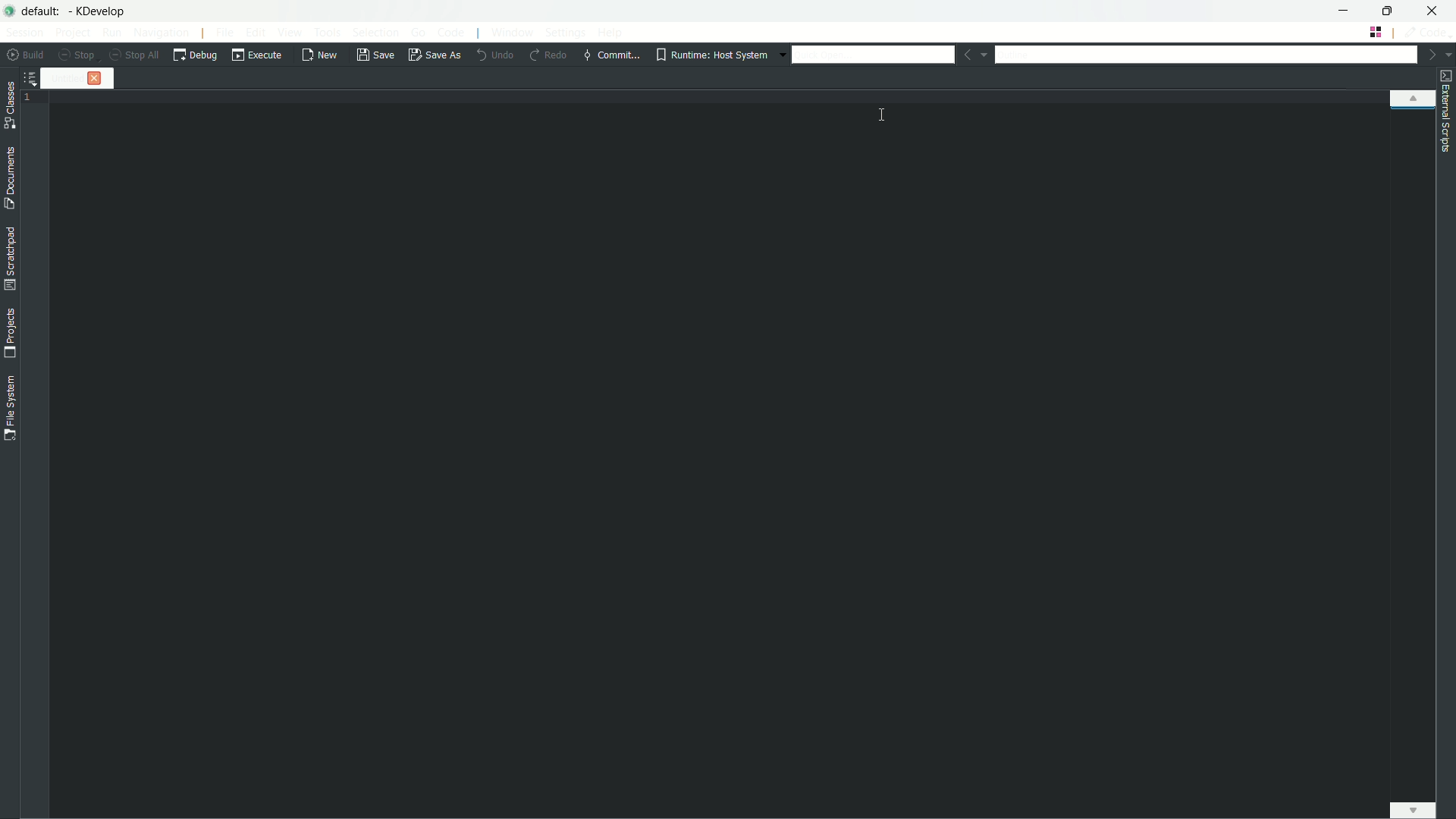 The height and width of the screenshot is (819, 1456). What do you see at coordinates (10, 9) in the screenshot?
I see `app icon` at bounding box center [10, 9].